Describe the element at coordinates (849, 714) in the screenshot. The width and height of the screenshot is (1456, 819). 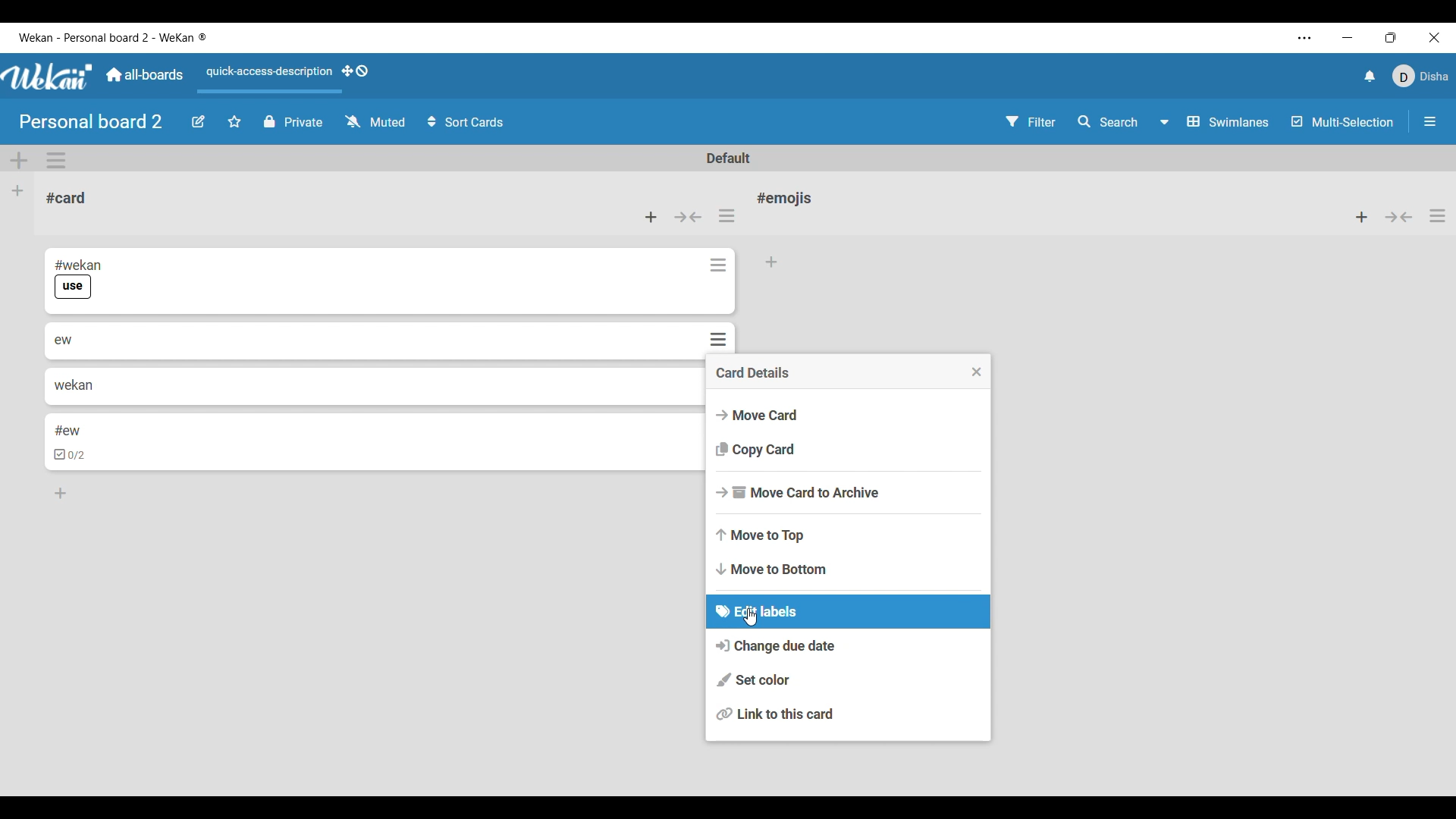
I see `Link to this card` at that location.